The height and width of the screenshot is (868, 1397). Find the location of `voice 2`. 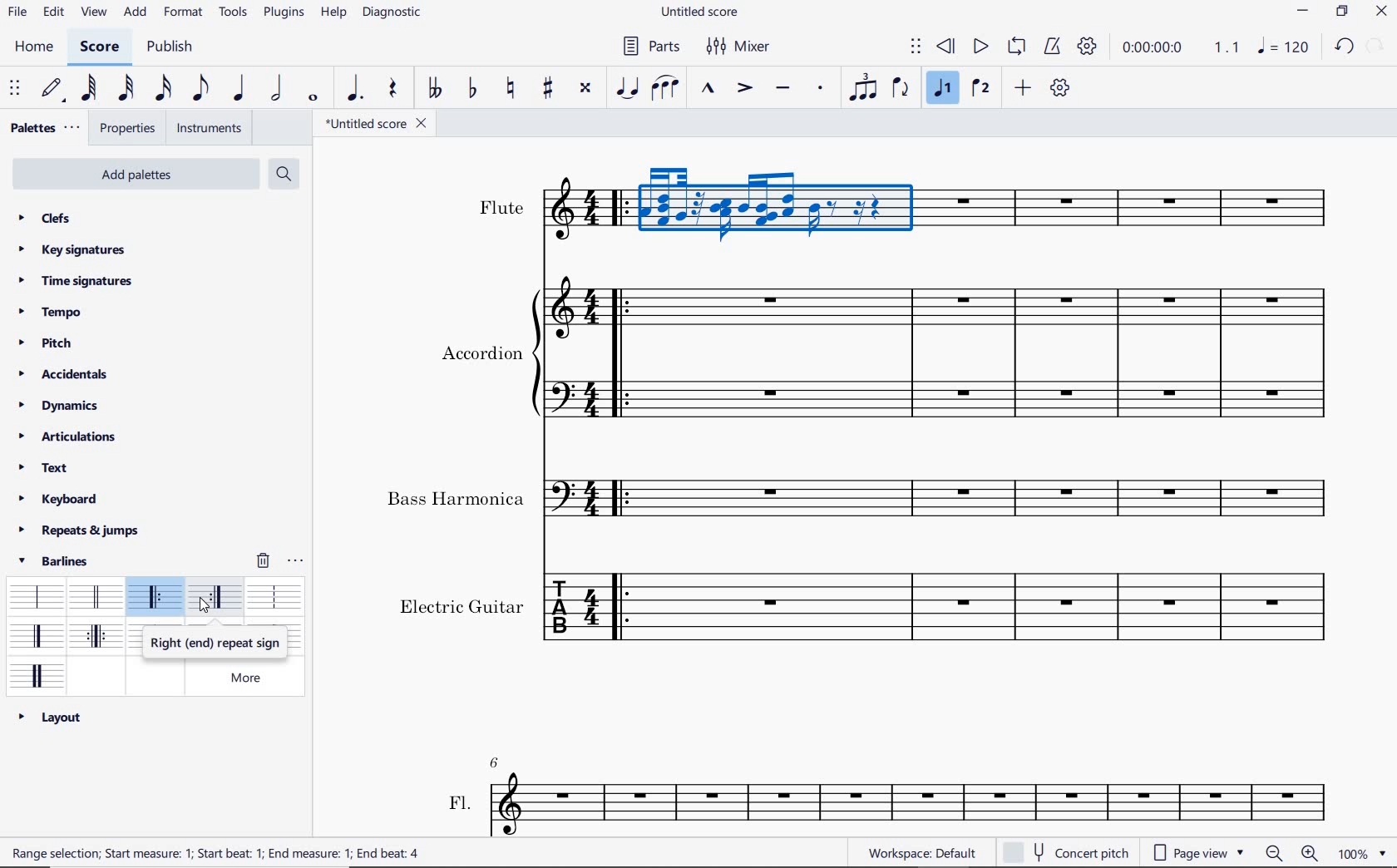

voice 2 is located at coordinates (980, 90).